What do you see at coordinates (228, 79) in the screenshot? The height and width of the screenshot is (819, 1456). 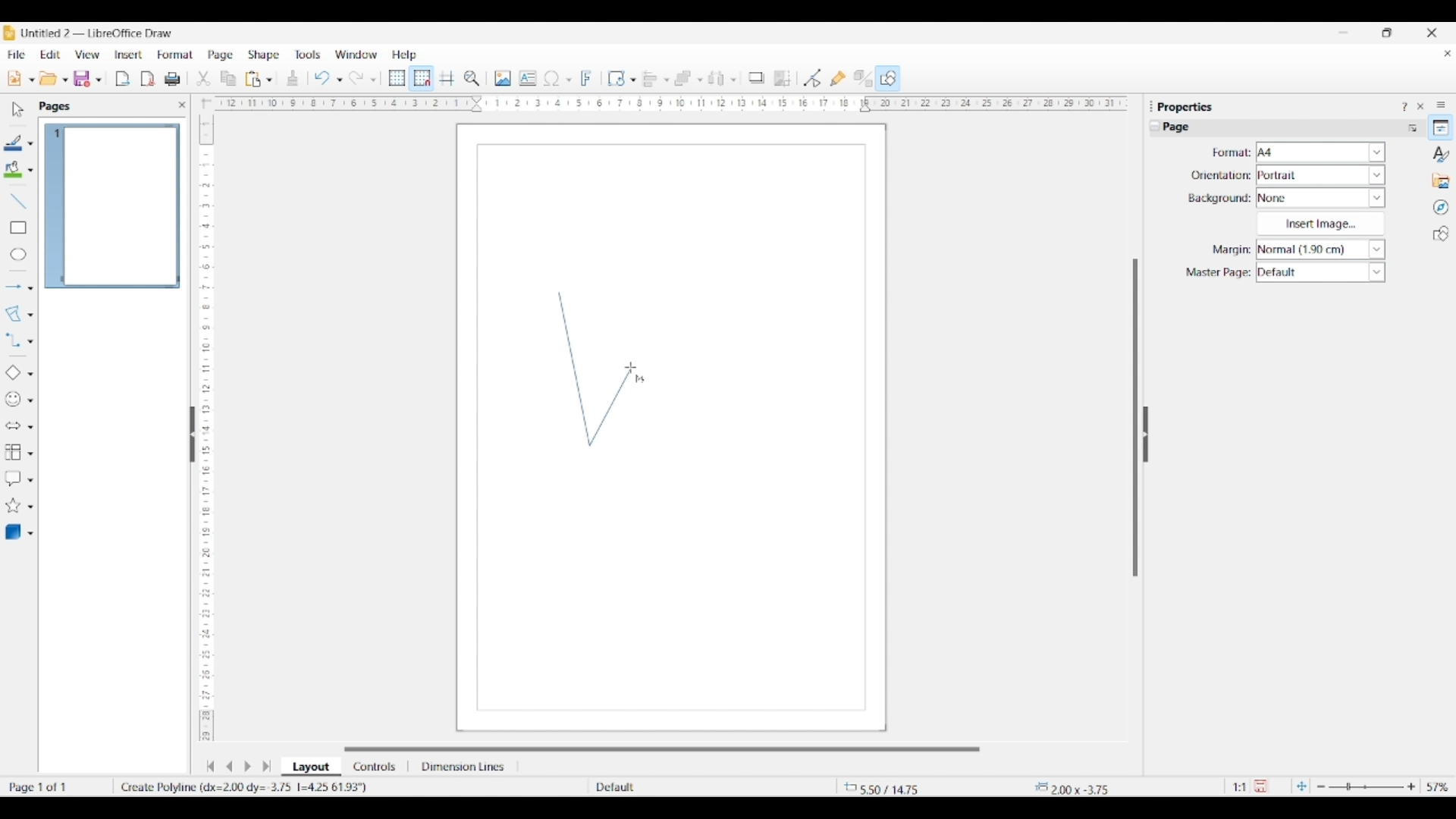 I see `Selected copy options` at bounding box center [228, 79].